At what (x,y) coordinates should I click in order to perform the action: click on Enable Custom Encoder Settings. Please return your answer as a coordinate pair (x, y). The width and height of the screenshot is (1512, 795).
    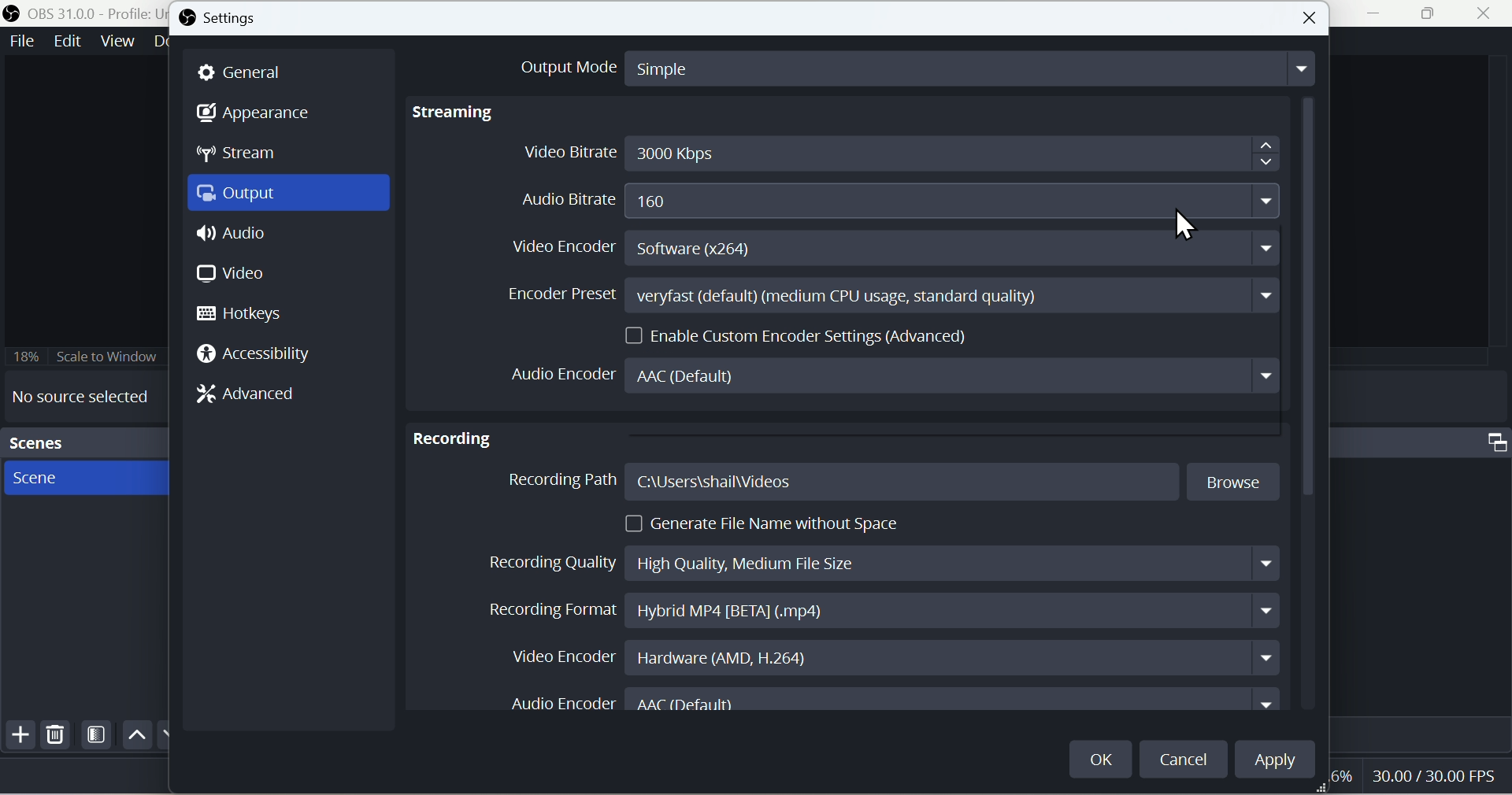
    Looking at the image, I should click on (802, 334).